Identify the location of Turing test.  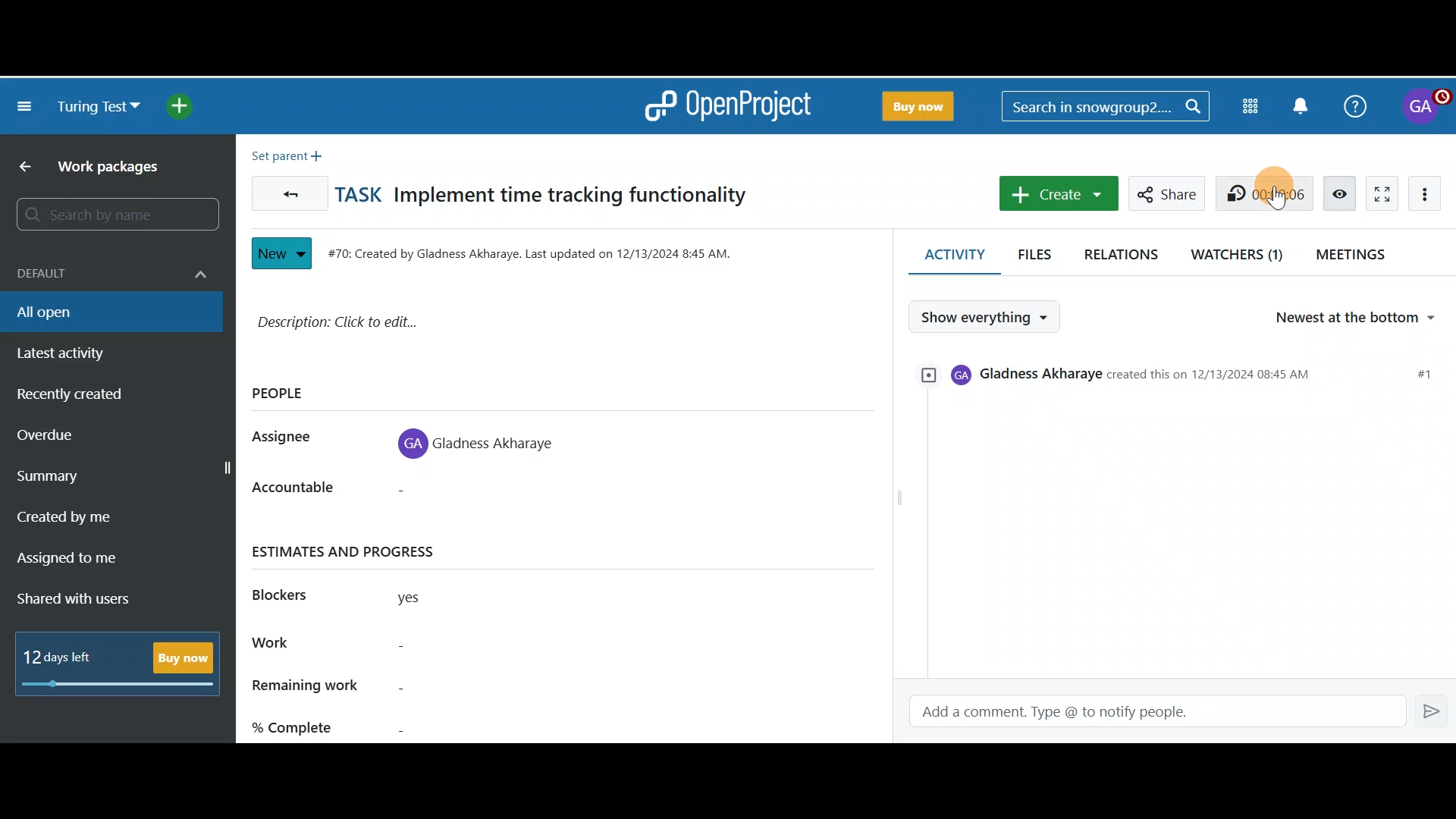
(99, 107).